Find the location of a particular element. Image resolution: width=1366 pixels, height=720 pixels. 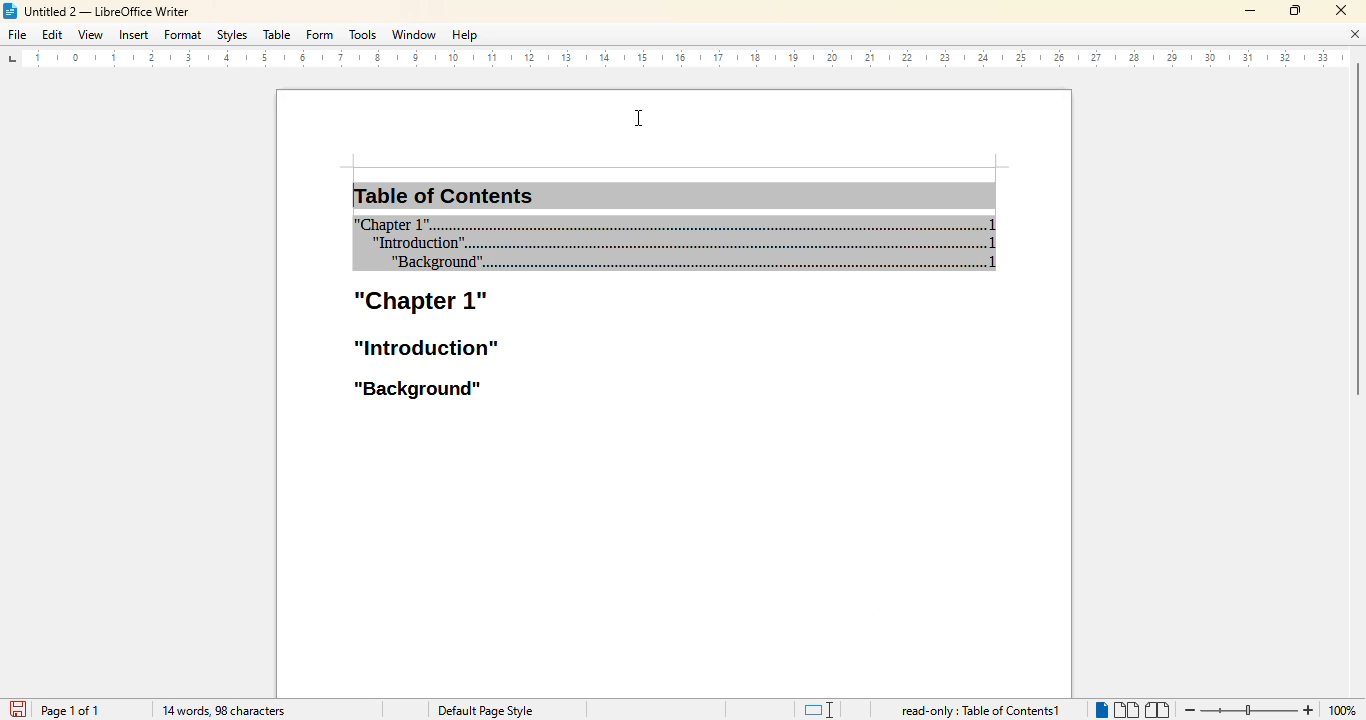

click to save document is located at coordinates (17, 709).